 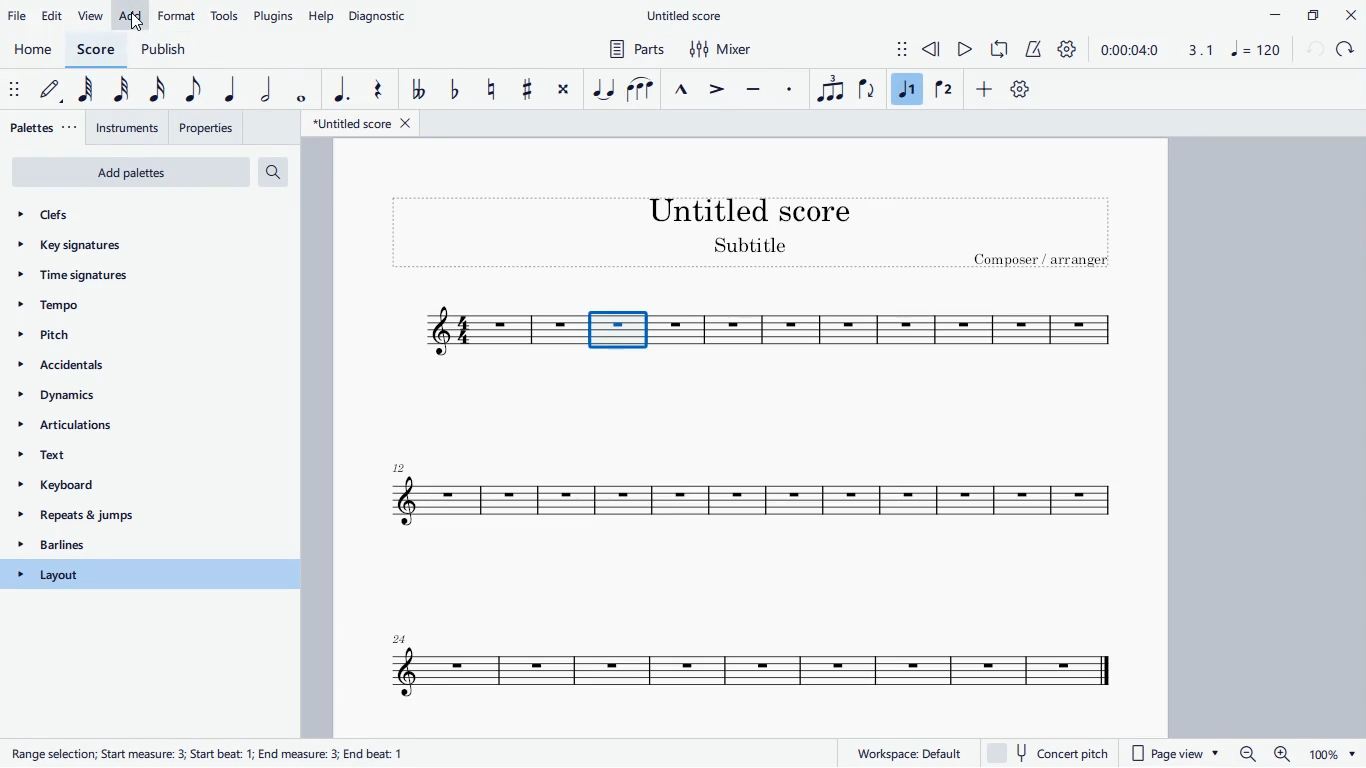 What do you see at coordinates (1314, 50) in the screenshot?
I see `back` at bounding box center [1314, 50].